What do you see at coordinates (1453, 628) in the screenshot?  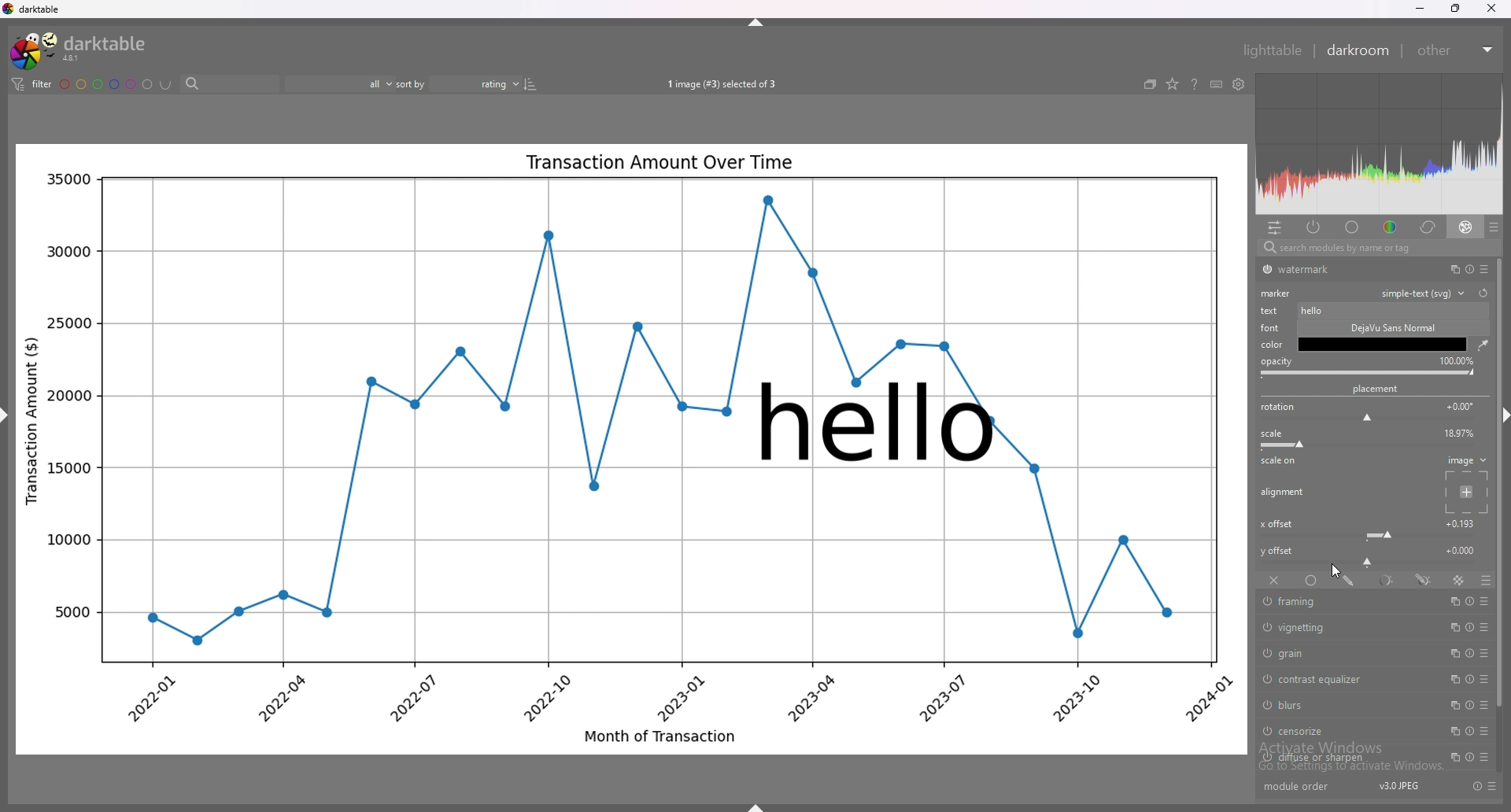 I see `multiple instances action` at bounding box center [1453, 628].